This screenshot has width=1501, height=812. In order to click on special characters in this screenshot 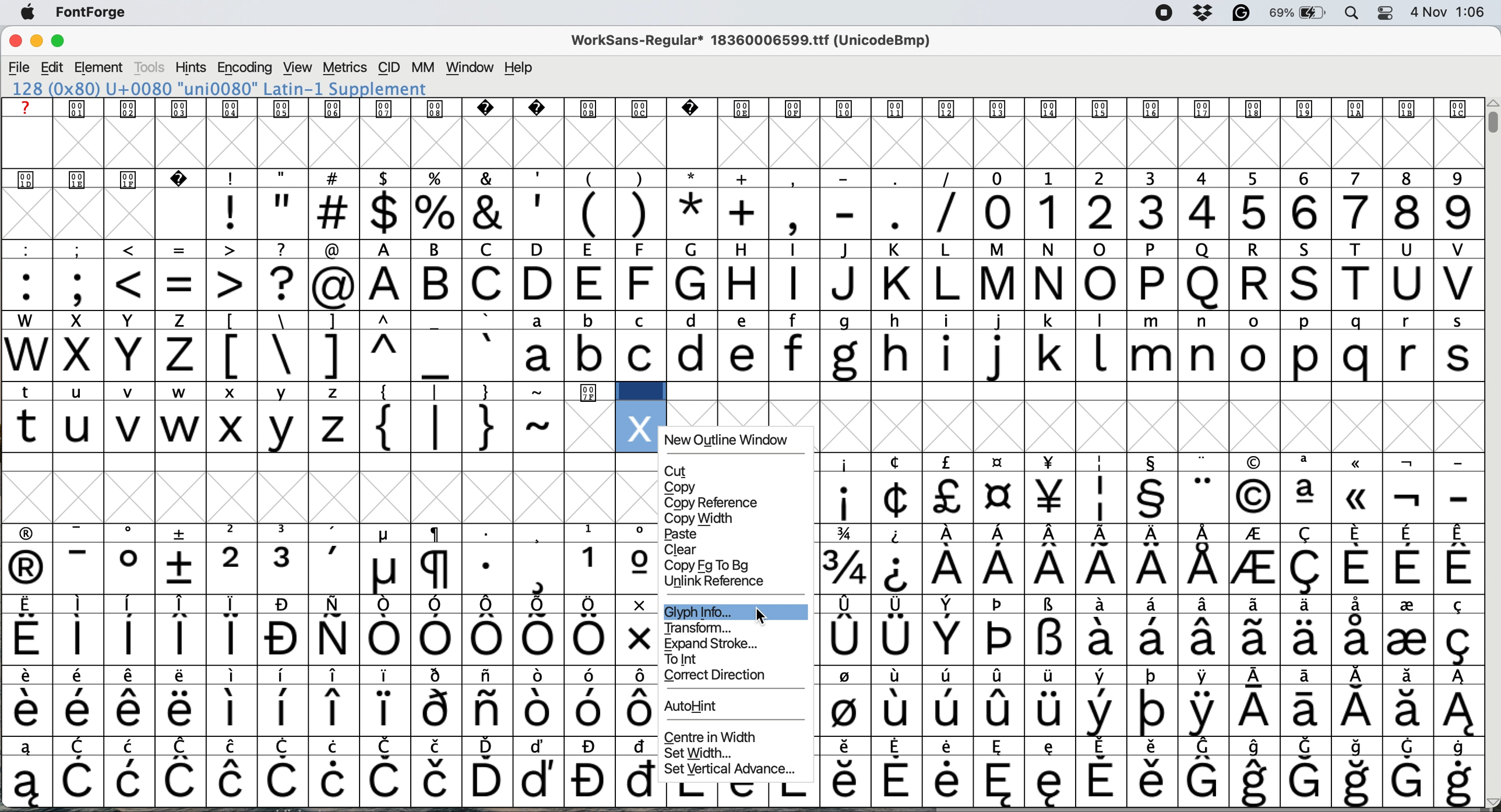, I will do `click(355, 355)`.